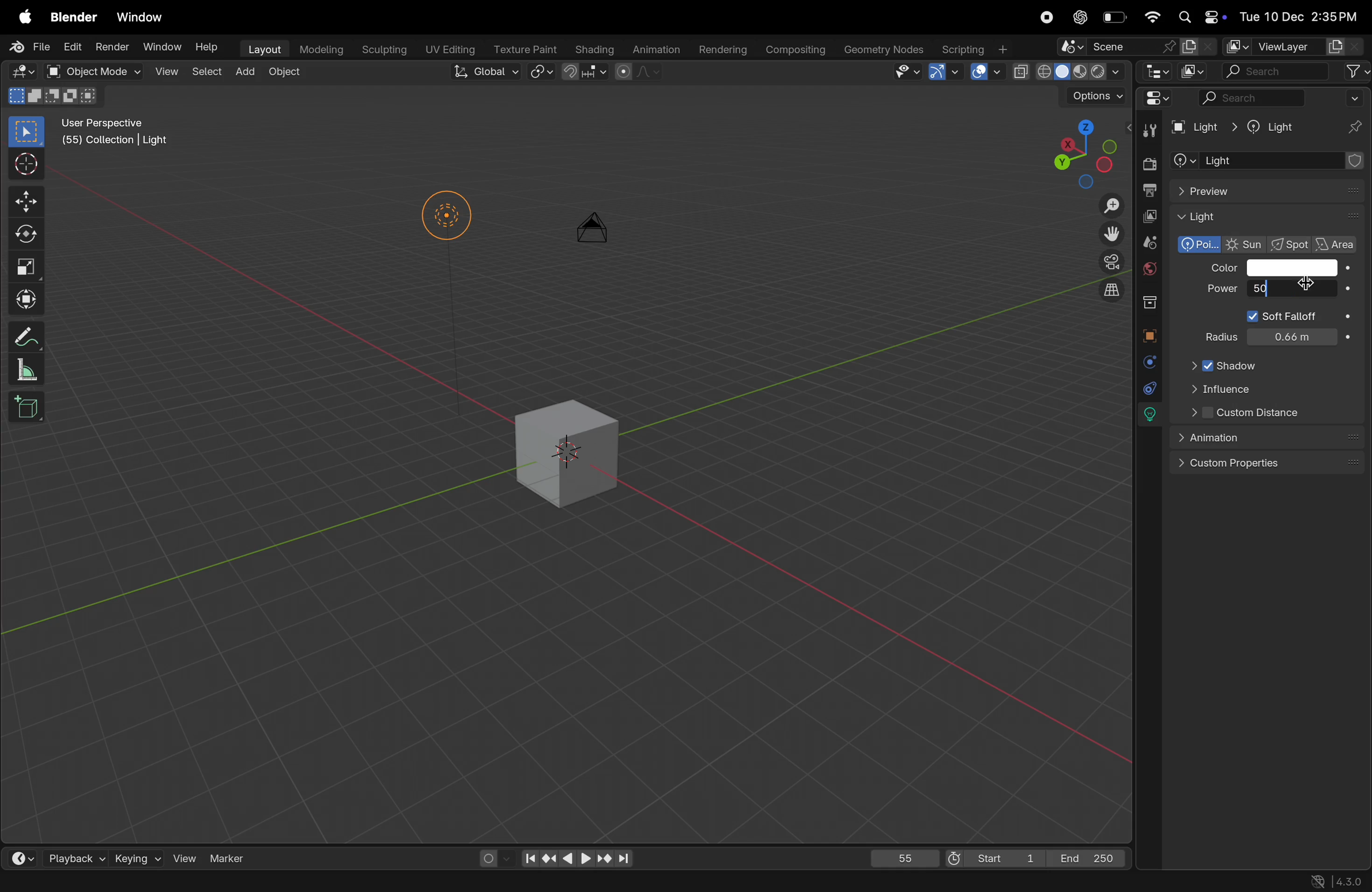 Image resolution: width=1372 pixels, height=892 pixels. I want to click on auto keying, so click(492, 857).